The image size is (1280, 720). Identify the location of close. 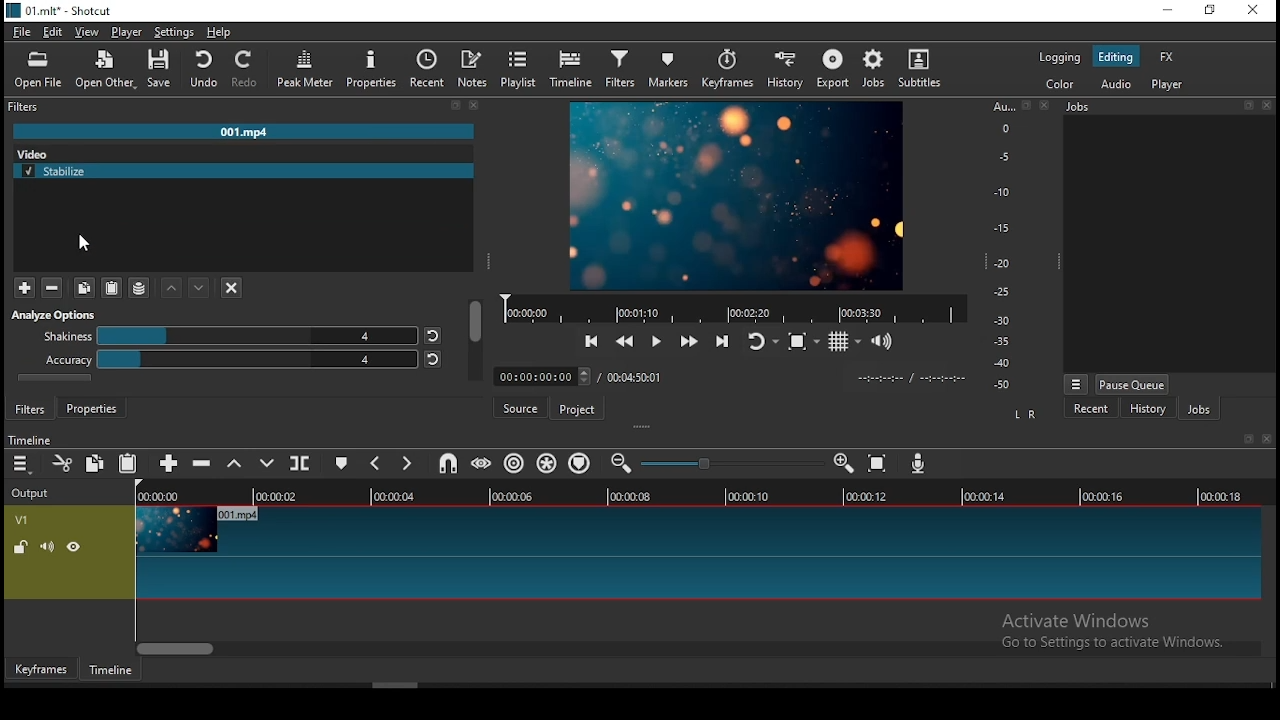
(1267, 105).